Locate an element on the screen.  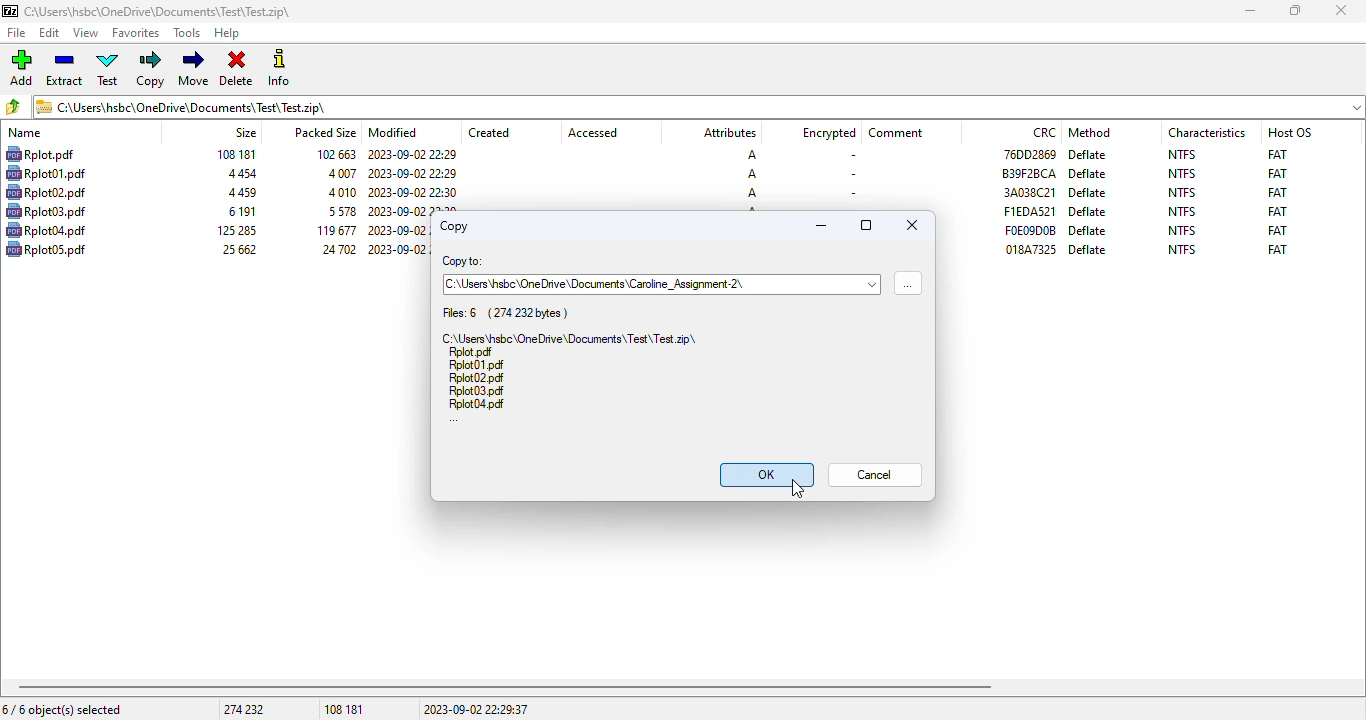
file is located at coordinates (477, 391).